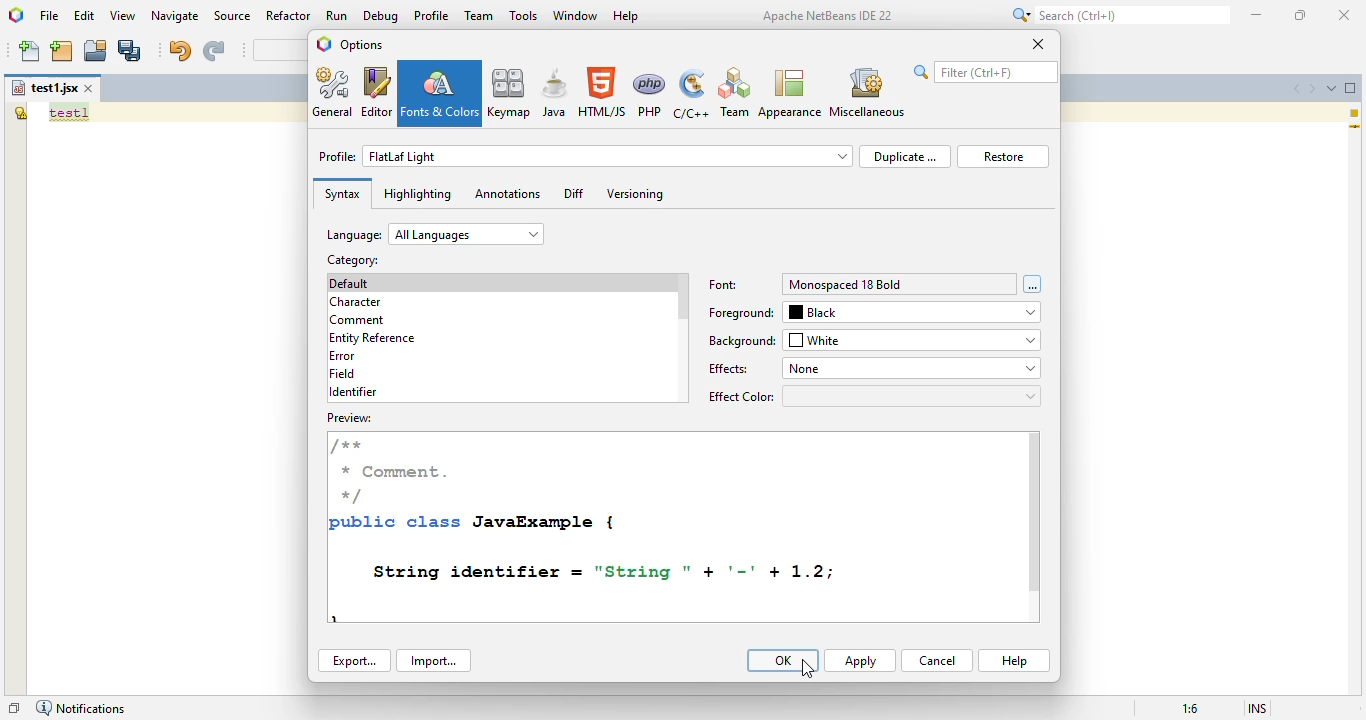 This screenshot has width=1366, height=720. What do you see at coordinates (575, 193) in the screenshot?
I see `diff` at bounding box center [575, 193].